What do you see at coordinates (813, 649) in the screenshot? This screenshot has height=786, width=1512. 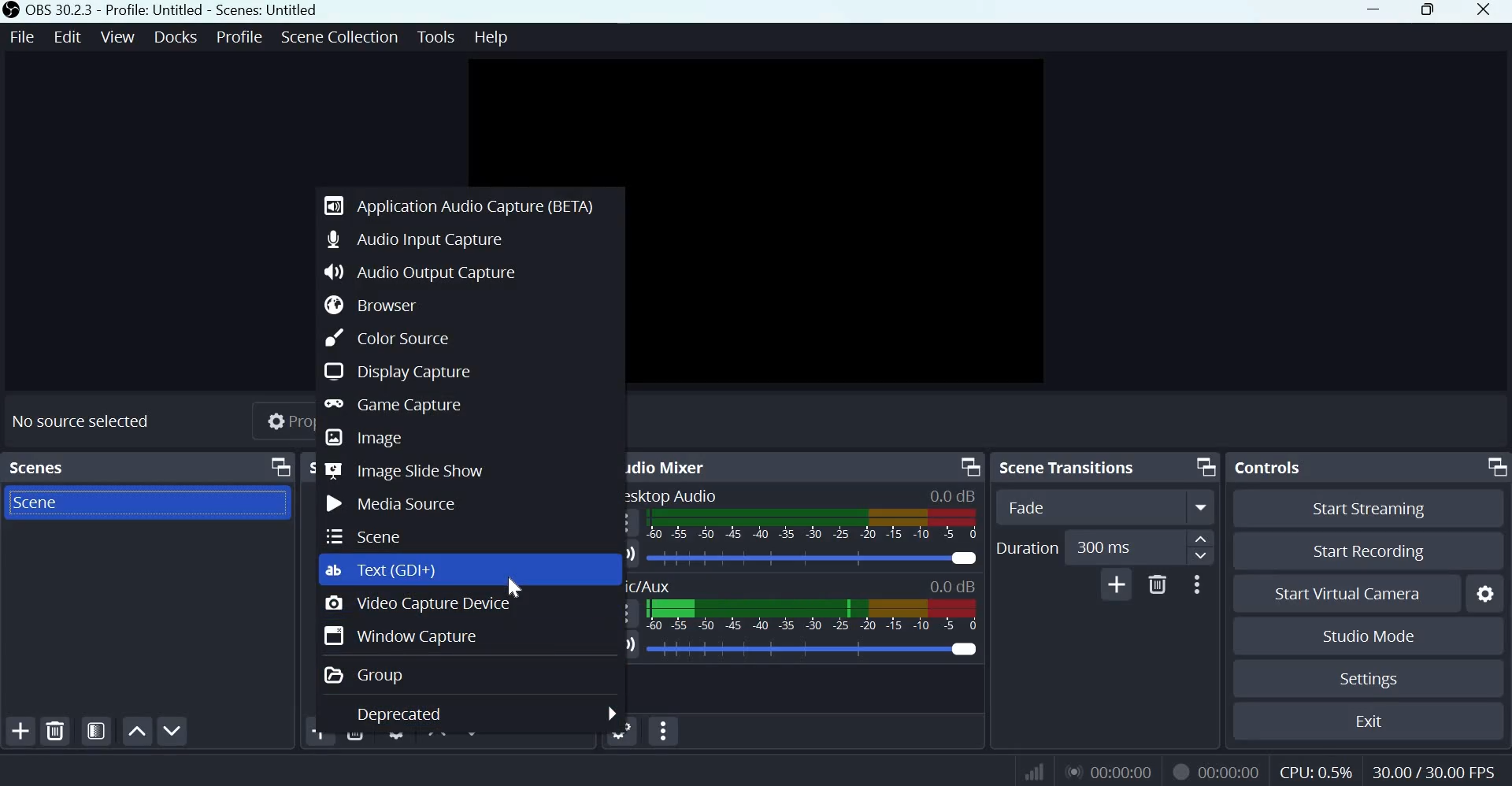 I see `0.0 dB` at bounding box center [813, 649].